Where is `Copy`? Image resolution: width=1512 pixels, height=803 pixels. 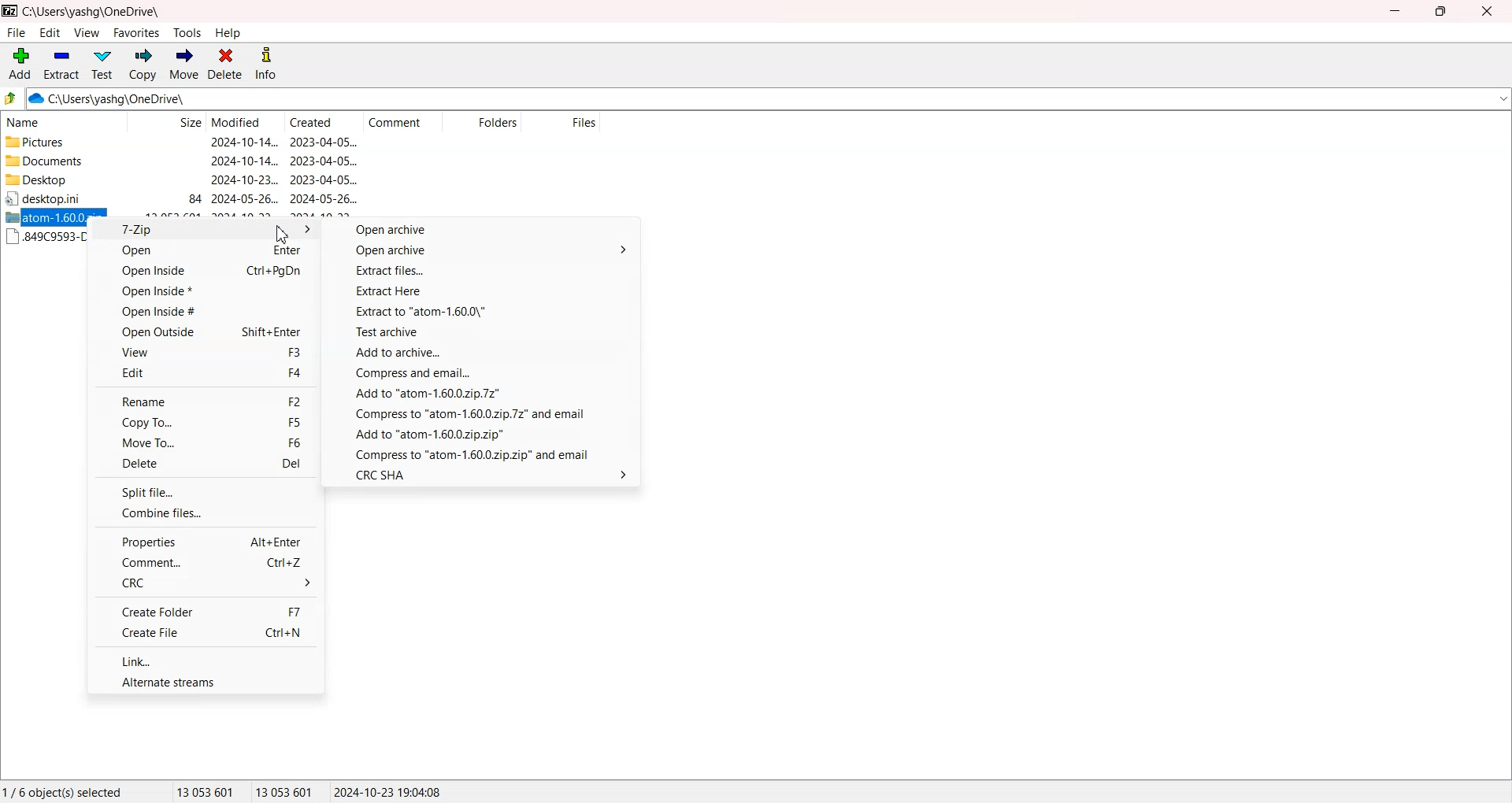 Copy is located at coordinates (142, 65).